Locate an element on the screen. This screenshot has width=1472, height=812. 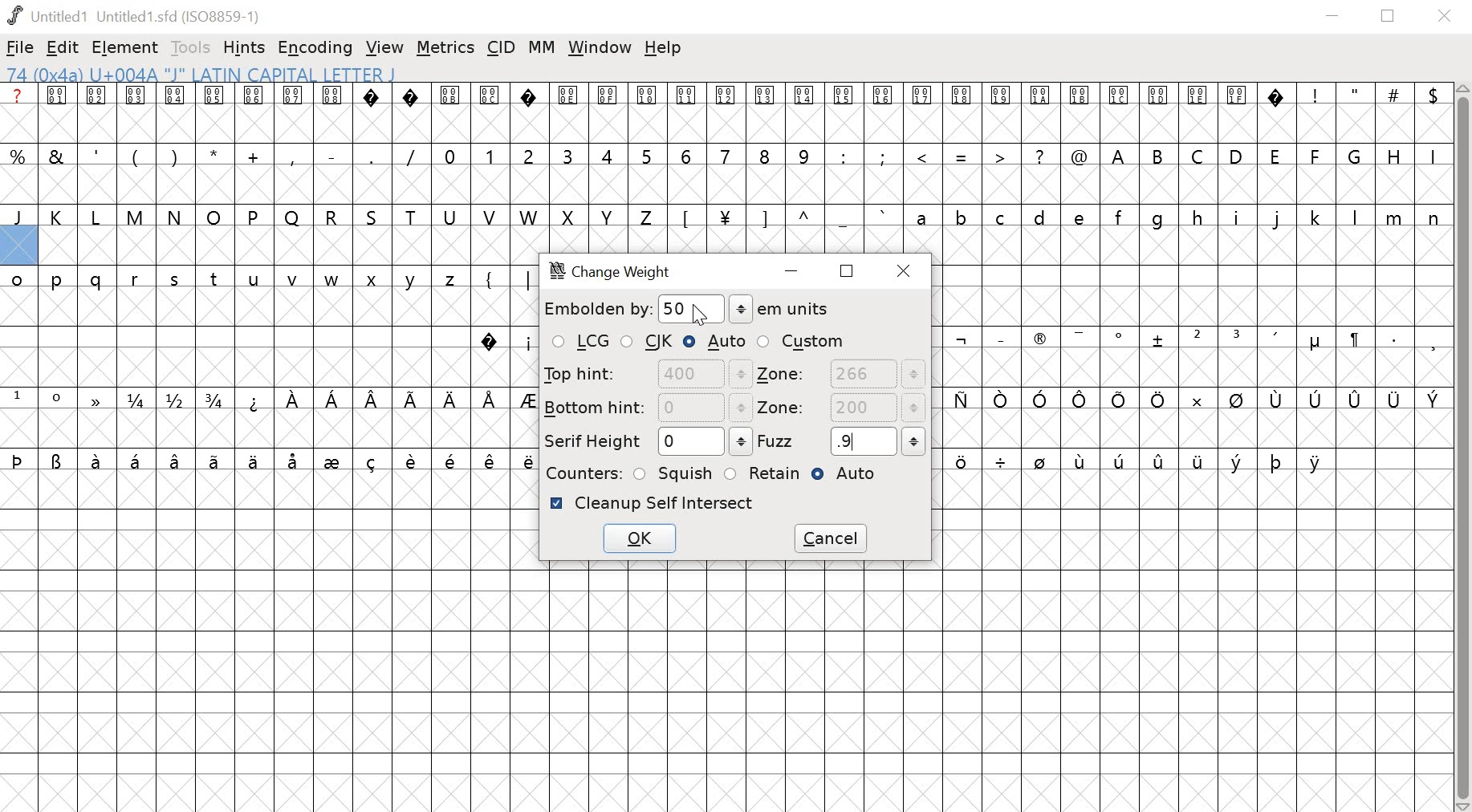
symbols is located at coordinates (270, 460).